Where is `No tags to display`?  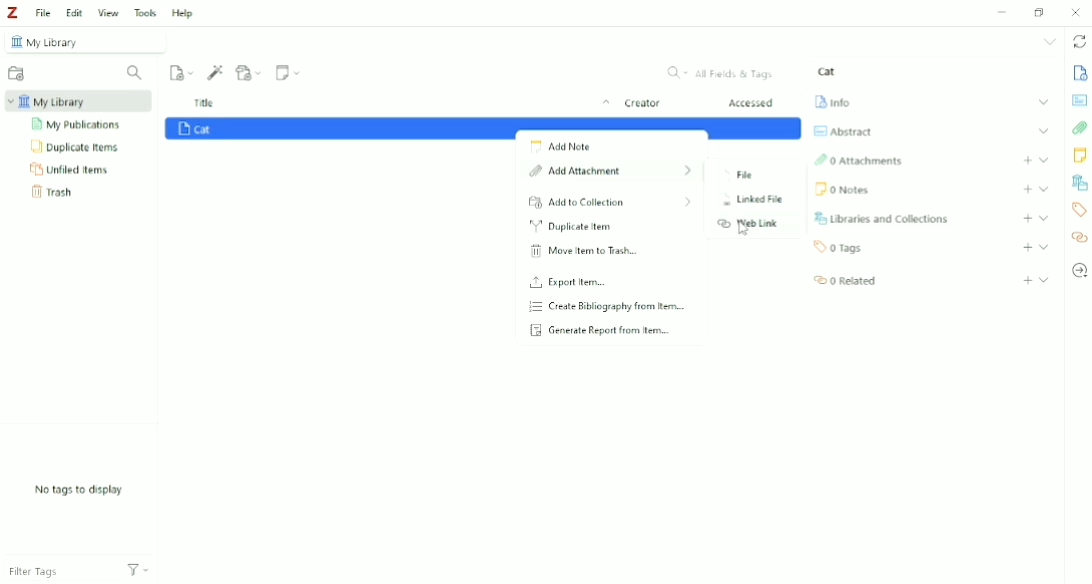 No tags to display is located at coordinates (81, 490).